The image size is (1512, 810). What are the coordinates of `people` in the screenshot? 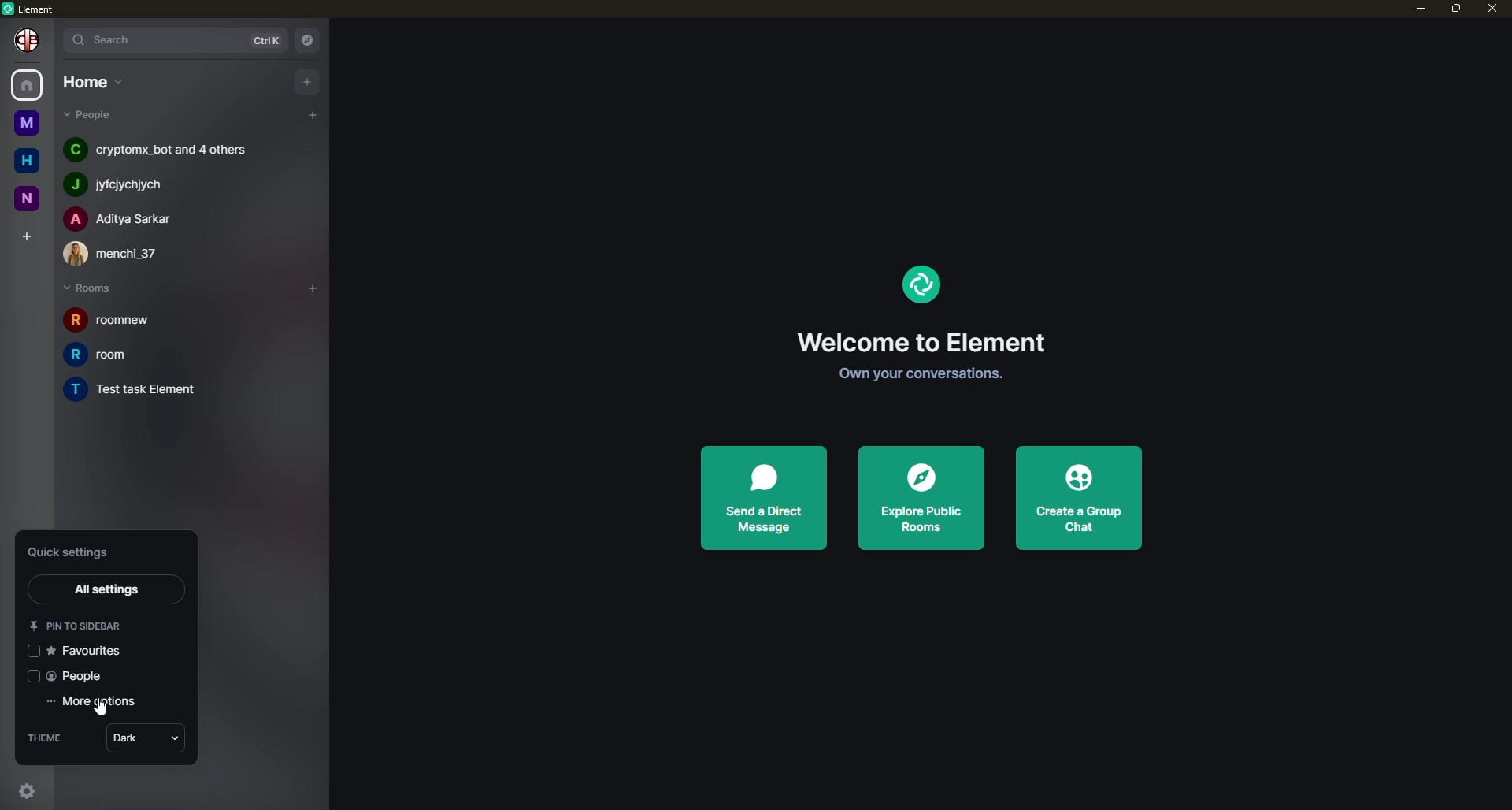 It's located at (120, 254).